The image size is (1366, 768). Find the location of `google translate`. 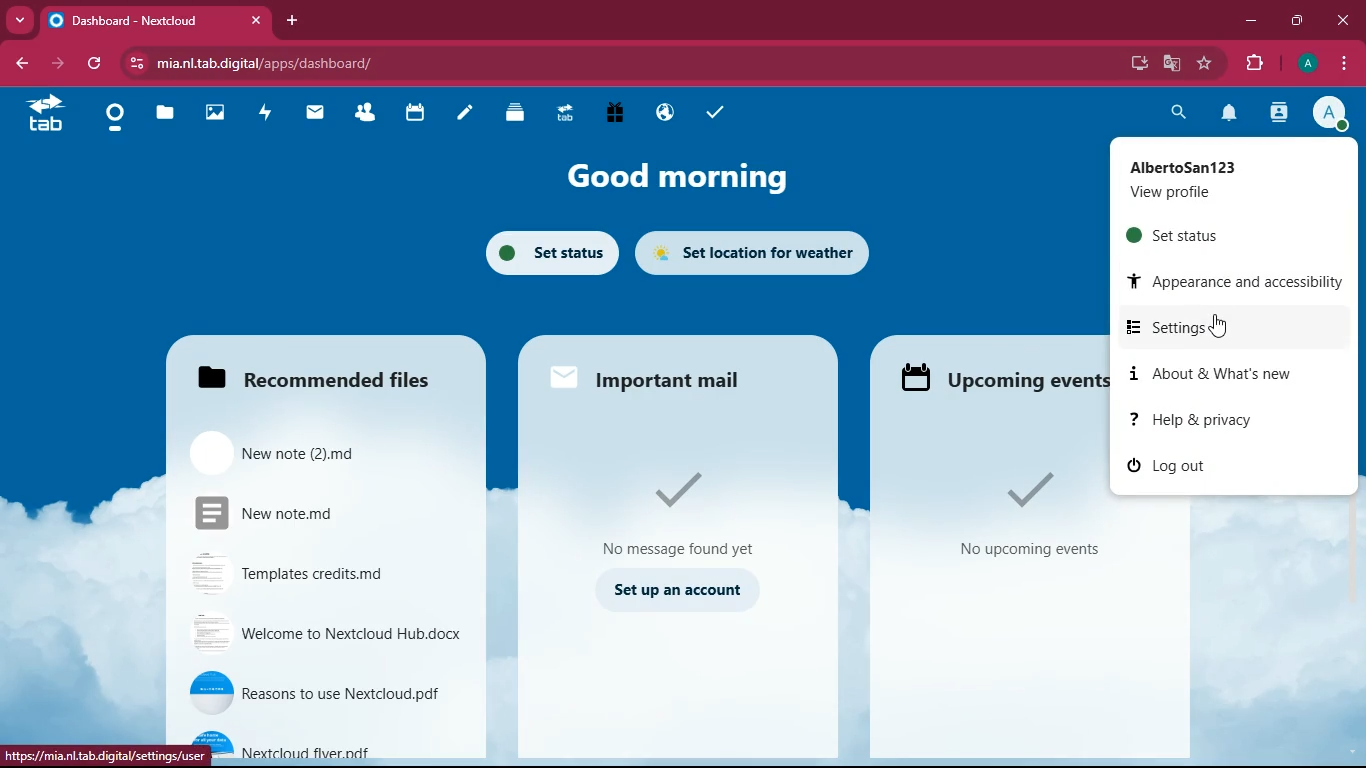

google translate is located at coordinates (1172, 63).